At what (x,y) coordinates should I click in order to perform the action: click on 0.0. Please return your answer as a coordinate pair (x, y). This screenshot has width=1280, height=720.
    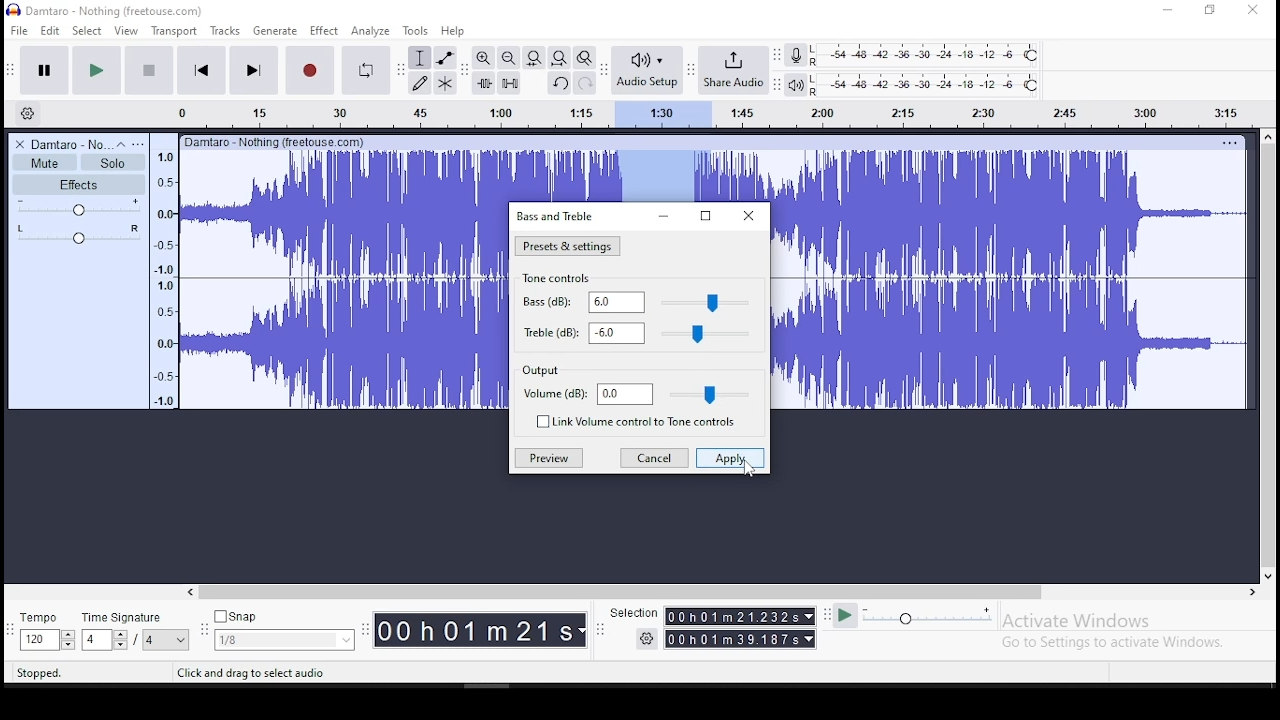
    Looking at the image, I should click on (616, 302).